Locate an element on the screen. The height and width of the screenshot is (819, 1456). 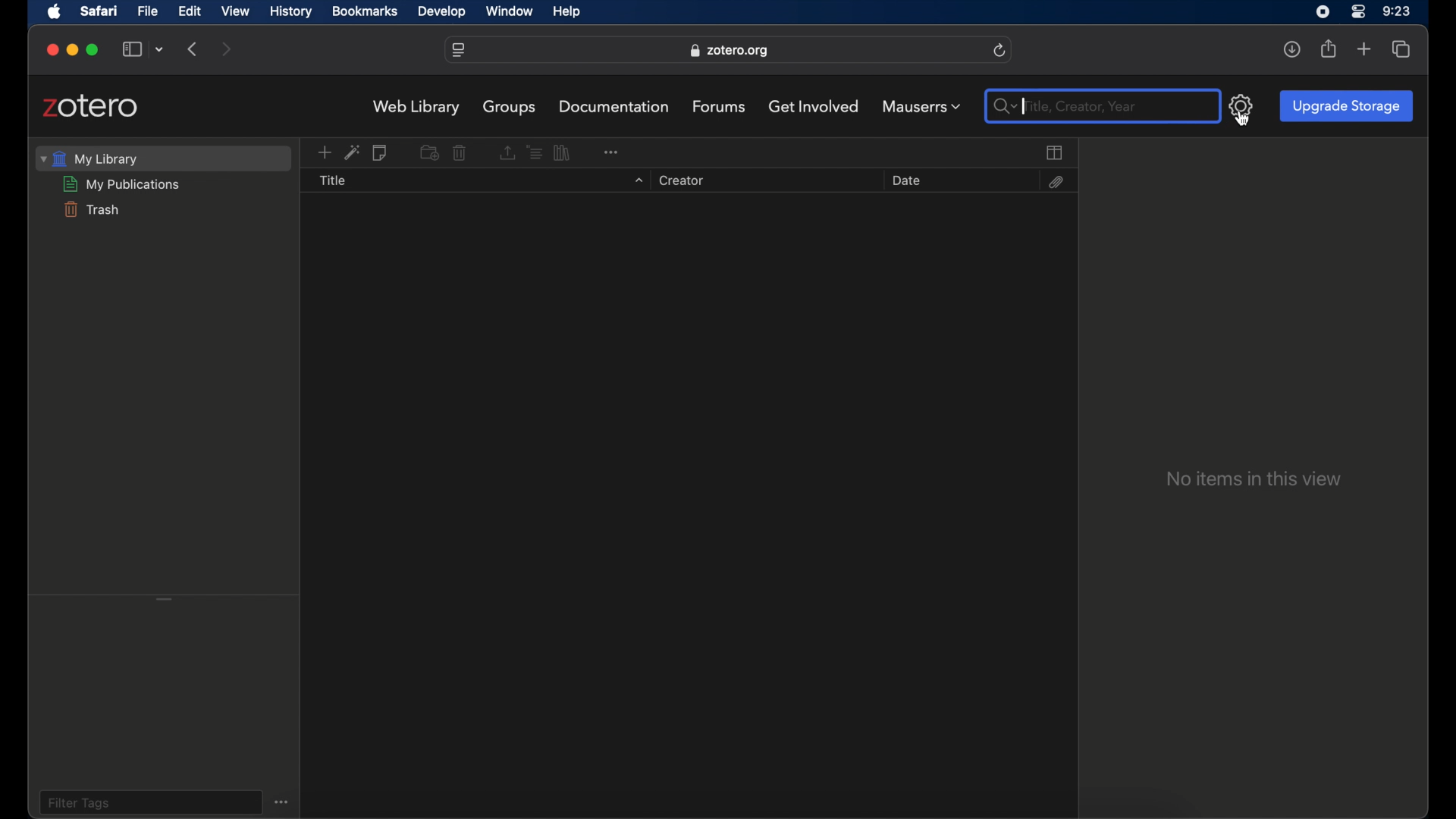
upgrade storage is located at coordinates (1346, 105).